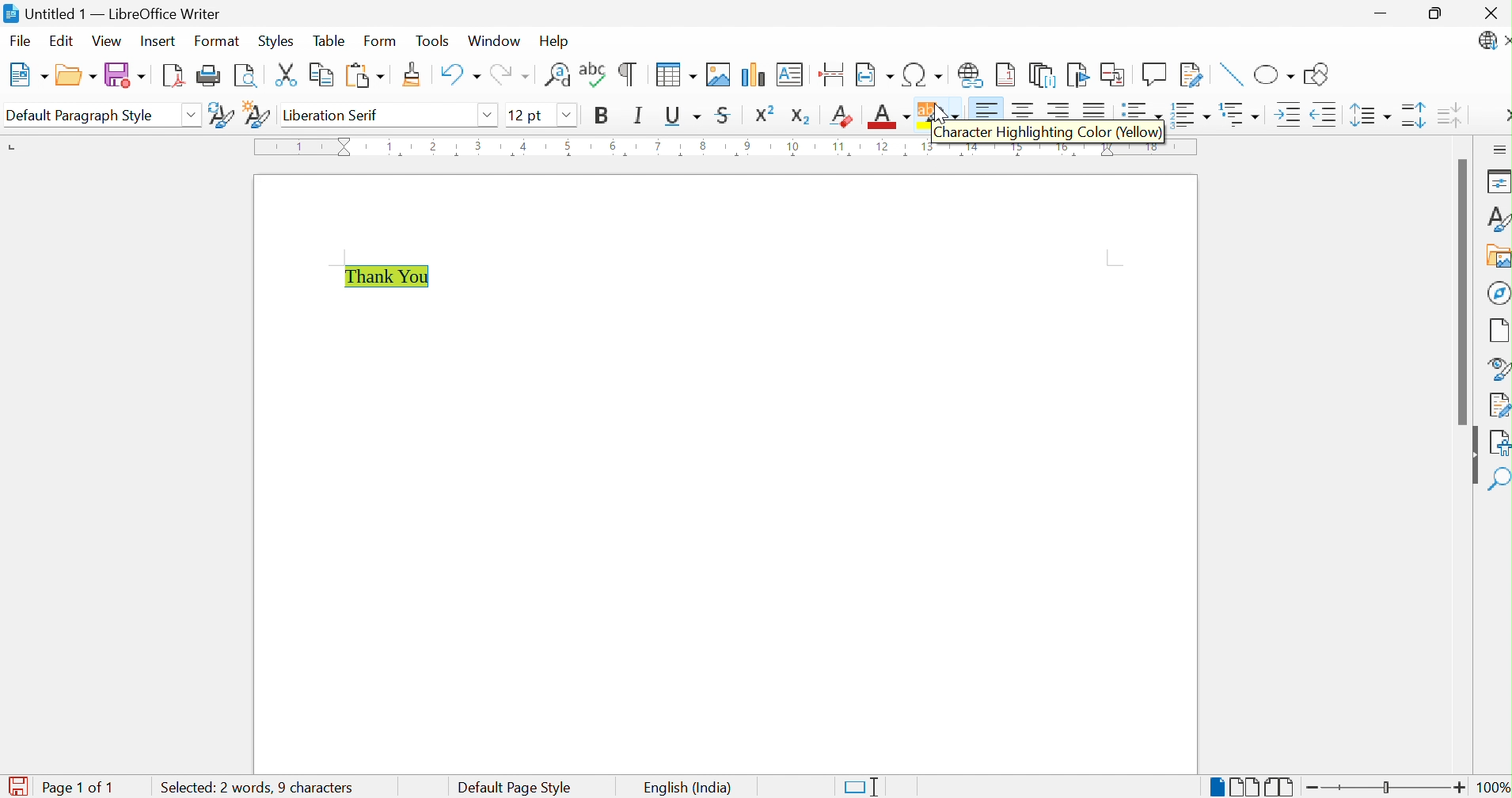 The image size is (1512, 798). What do you see at coordinates (17, 785) in the screenshot?
I see `The document has been modified. Click to save the document.` at bounding box center [17, 785].